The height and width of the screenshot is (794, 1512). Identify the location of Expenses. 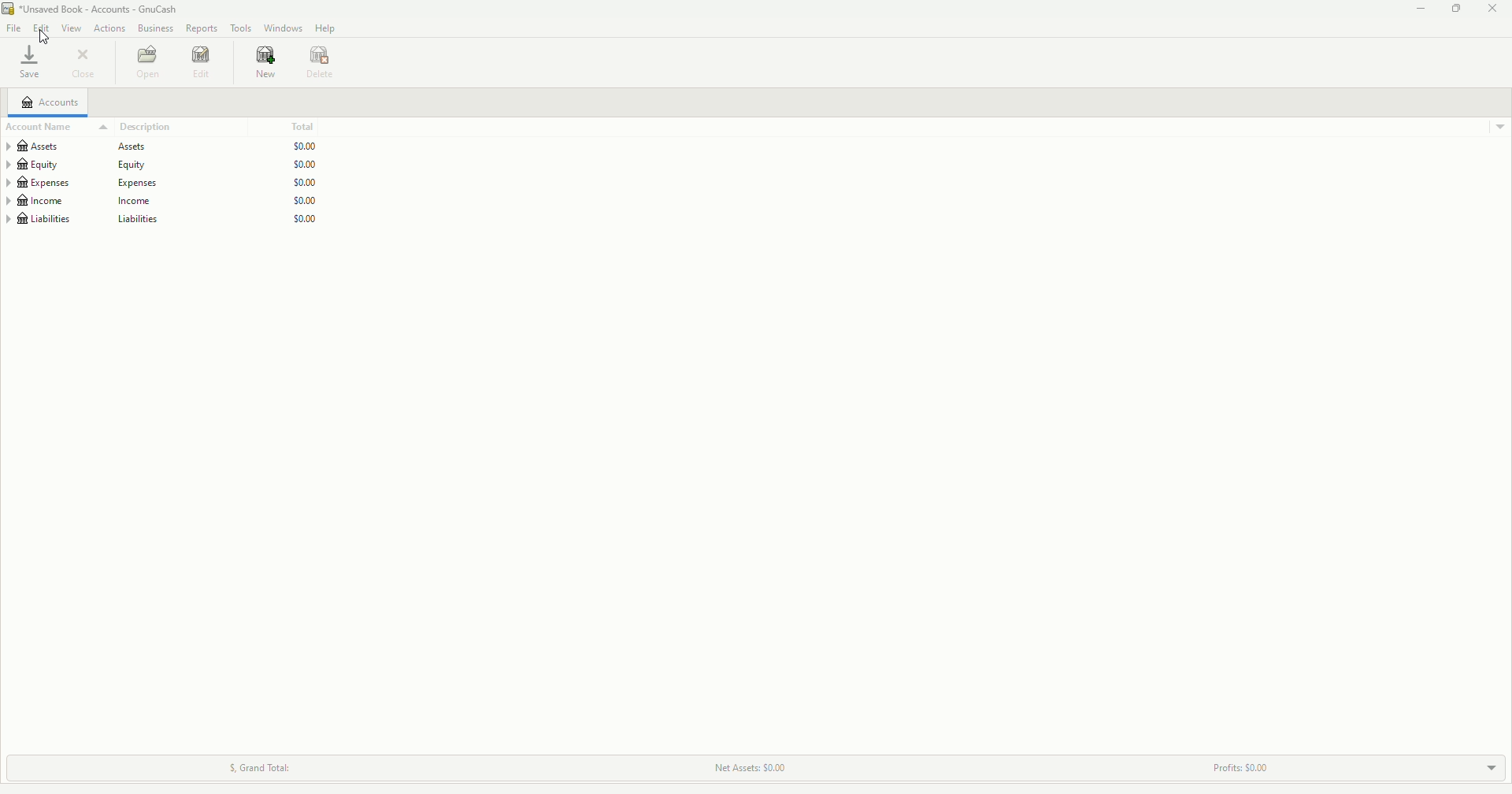
(164, 183).